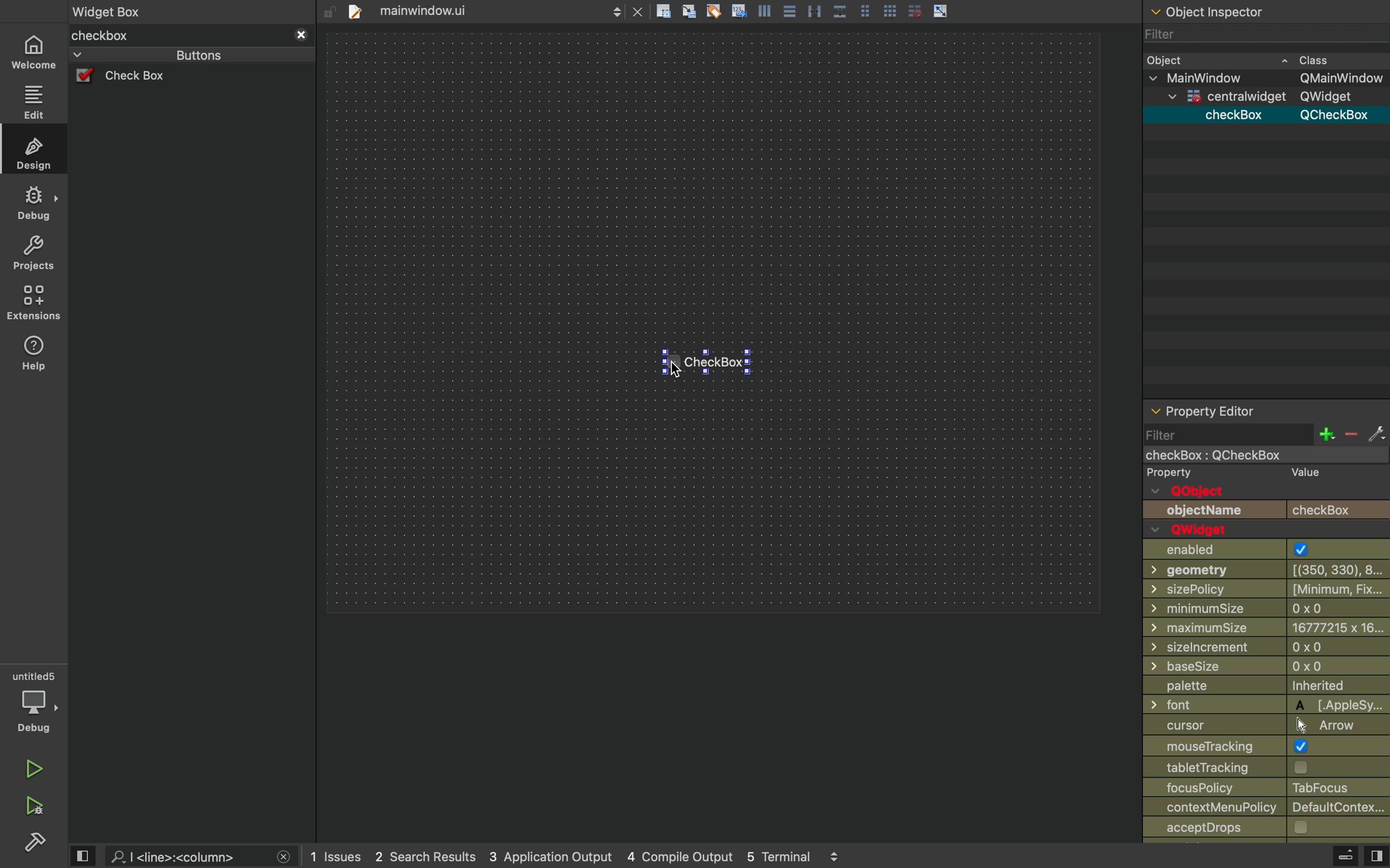 The image size is (1390, 868). Describe the element at coordinates (764, 10) in the screenshot. I see `align left` at that location.